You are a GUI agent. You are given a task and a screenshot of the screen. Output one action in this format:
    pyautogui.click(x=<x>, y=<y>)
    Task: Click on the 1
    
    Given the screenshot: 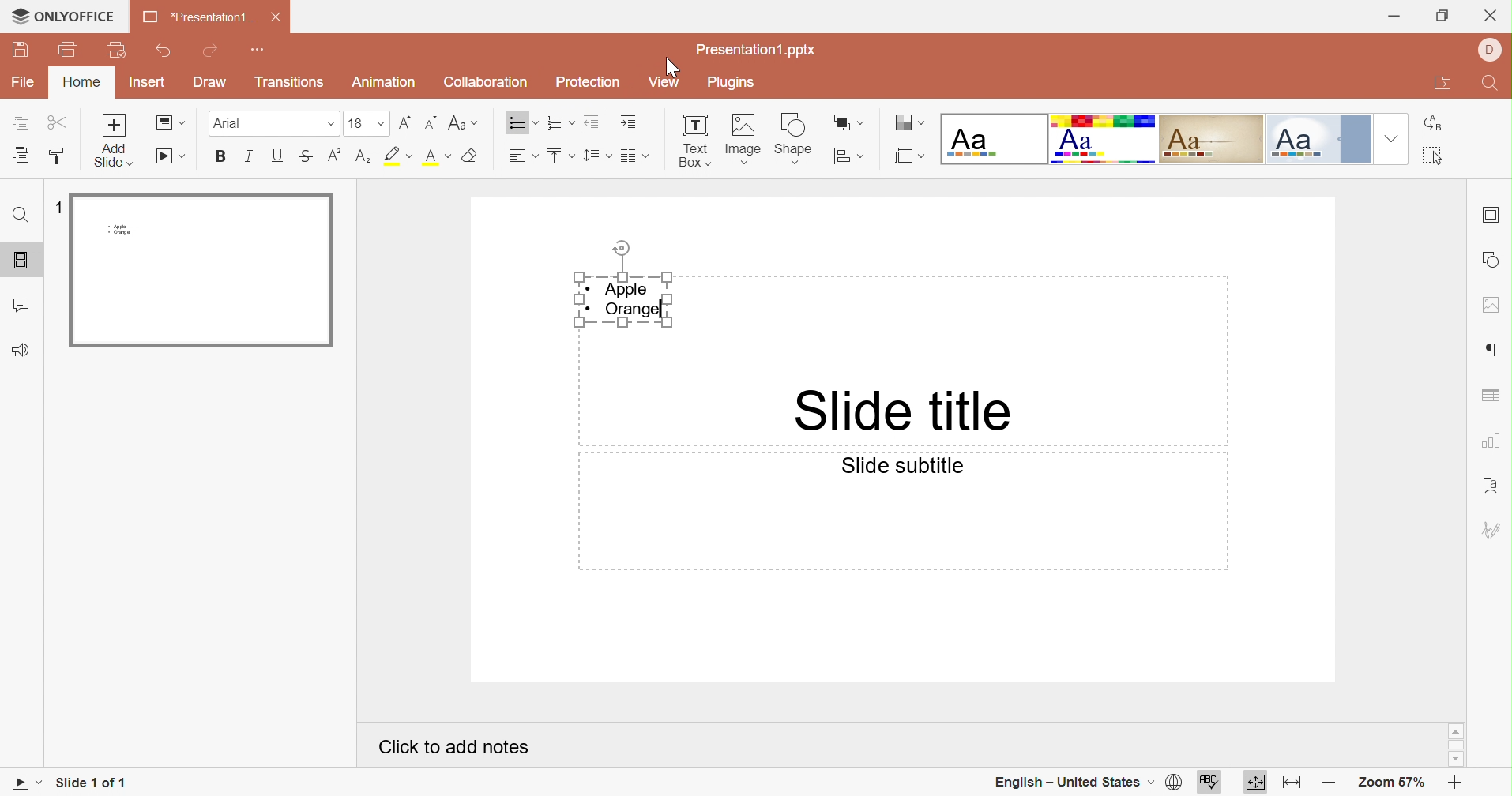 What is the action you would take?
    pyautogui.click(x=56, y=210)
    